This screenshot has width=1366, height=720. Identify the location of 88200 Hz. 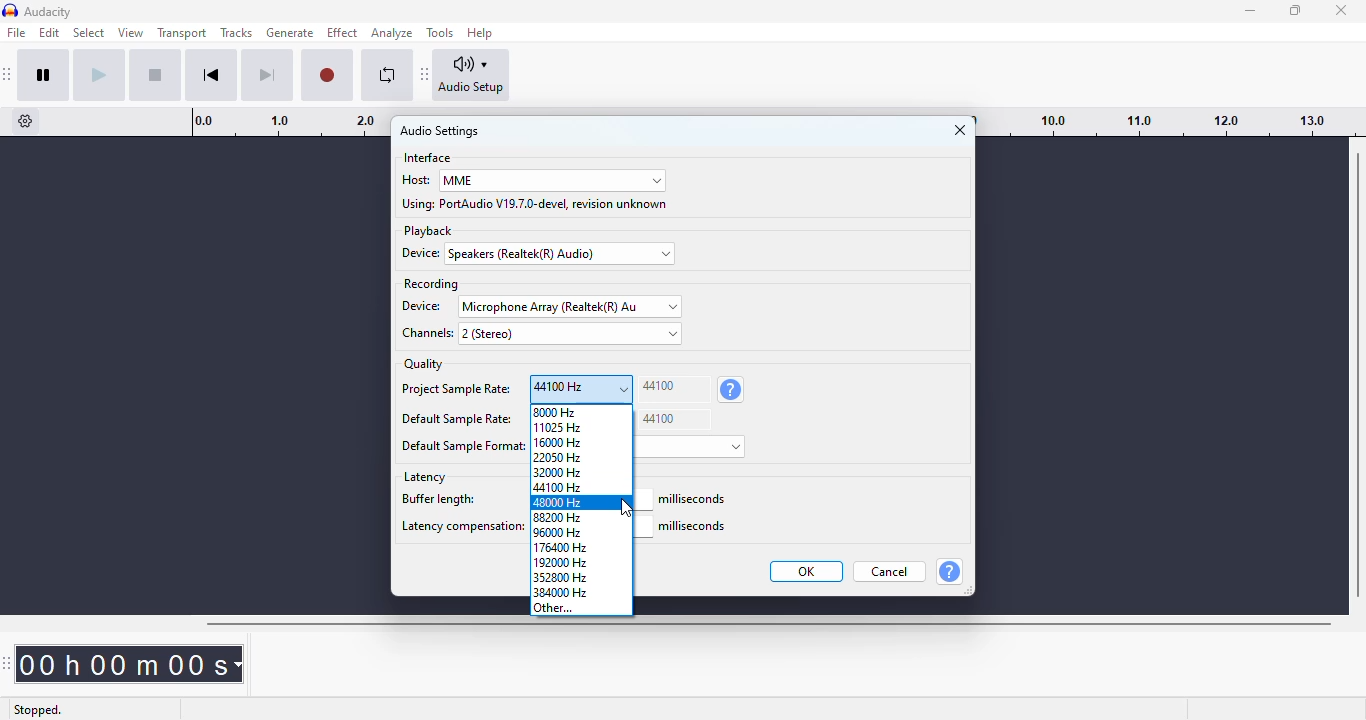
(581, 518).